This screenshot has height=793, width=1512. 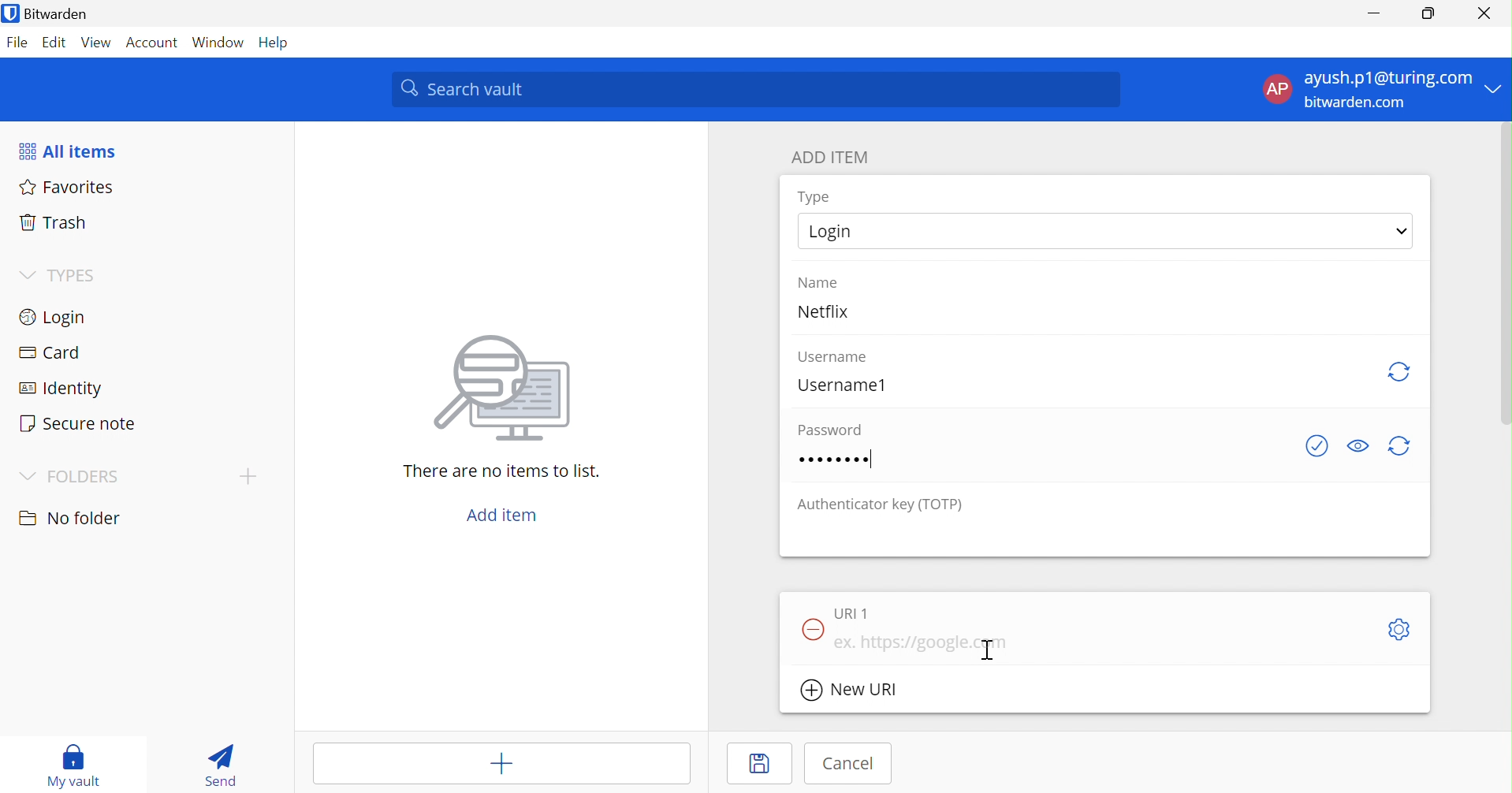 What do you see at coordinates (1387, 76) in the screenshot?
I see `ayush.p1@turing.com` at bounding box center [1387, 76].